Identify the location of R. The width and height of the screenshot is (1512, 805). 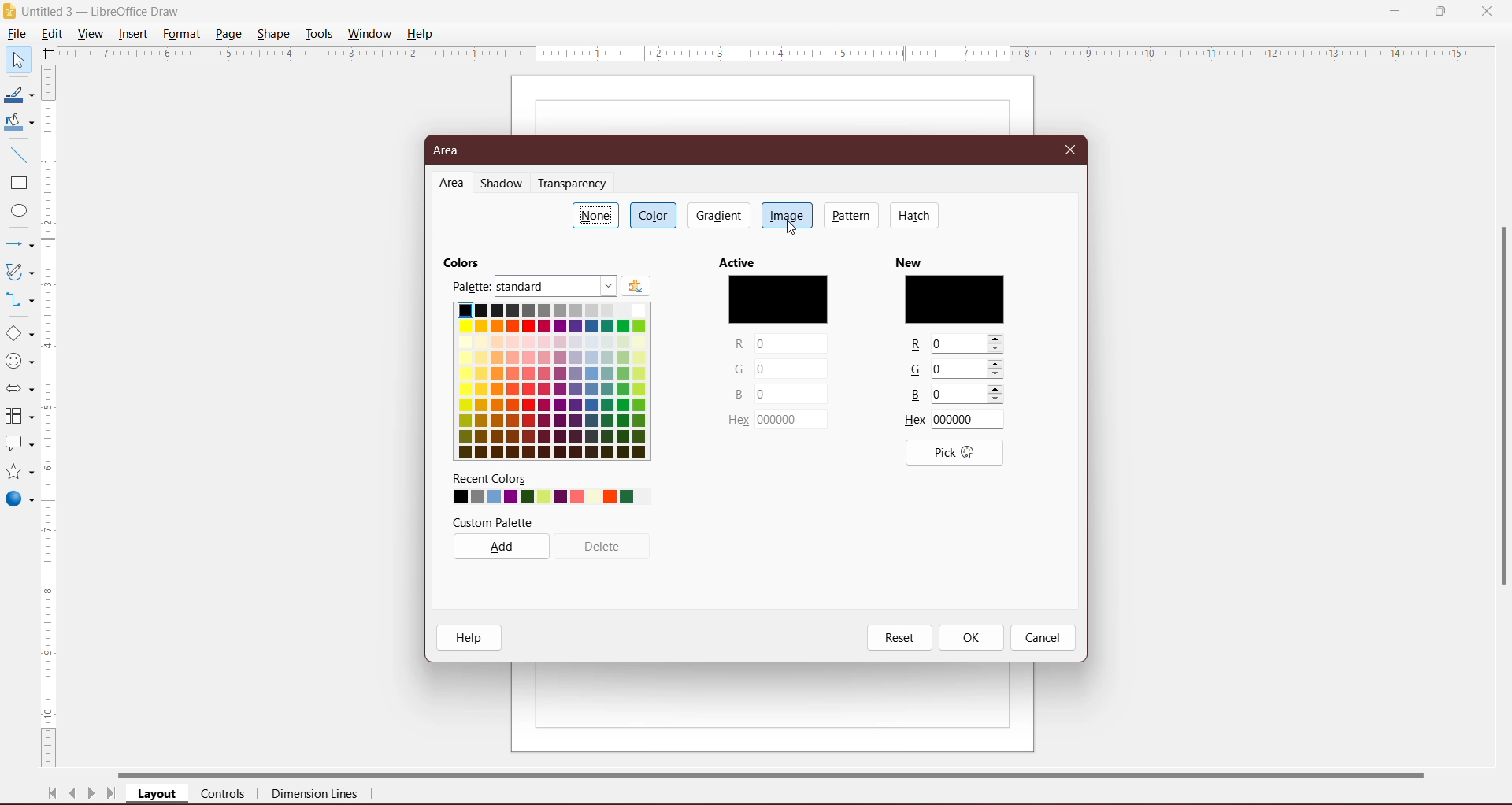
(912, 345).